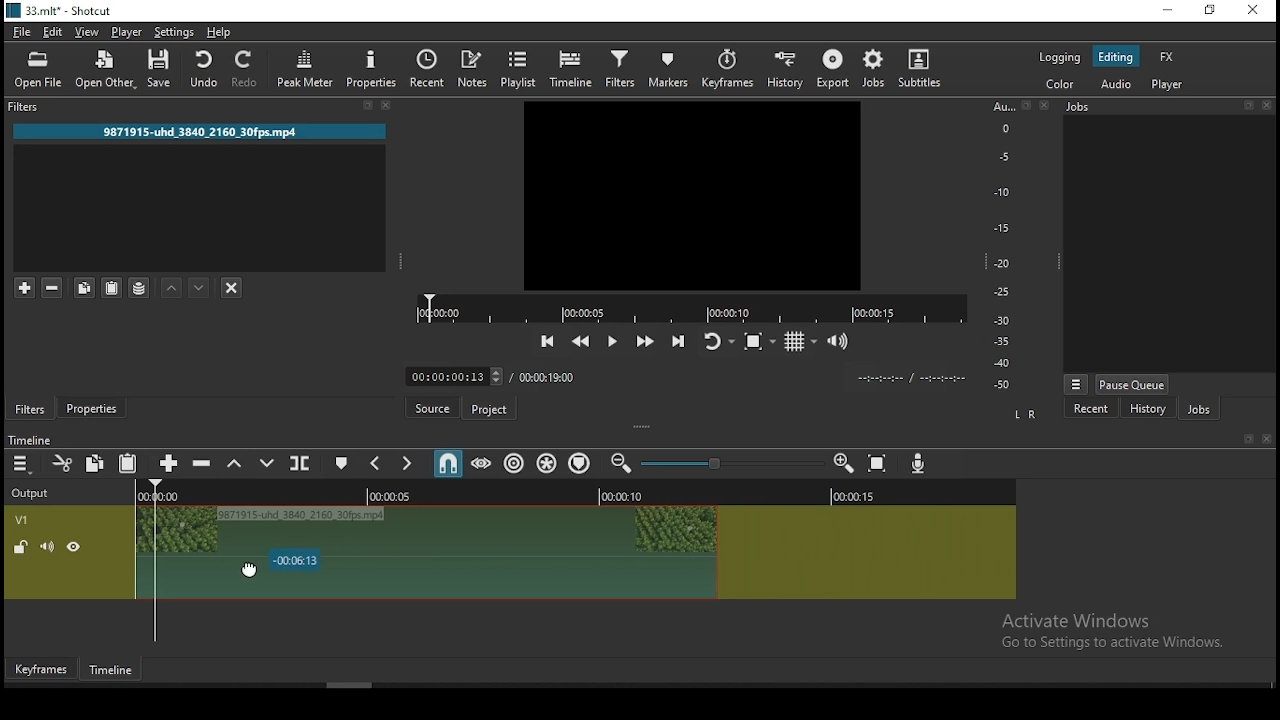  What do you see at coordinates (1078, 384) in the screenshot?
I see `Viewmore` at bounding box center [1078, 384].